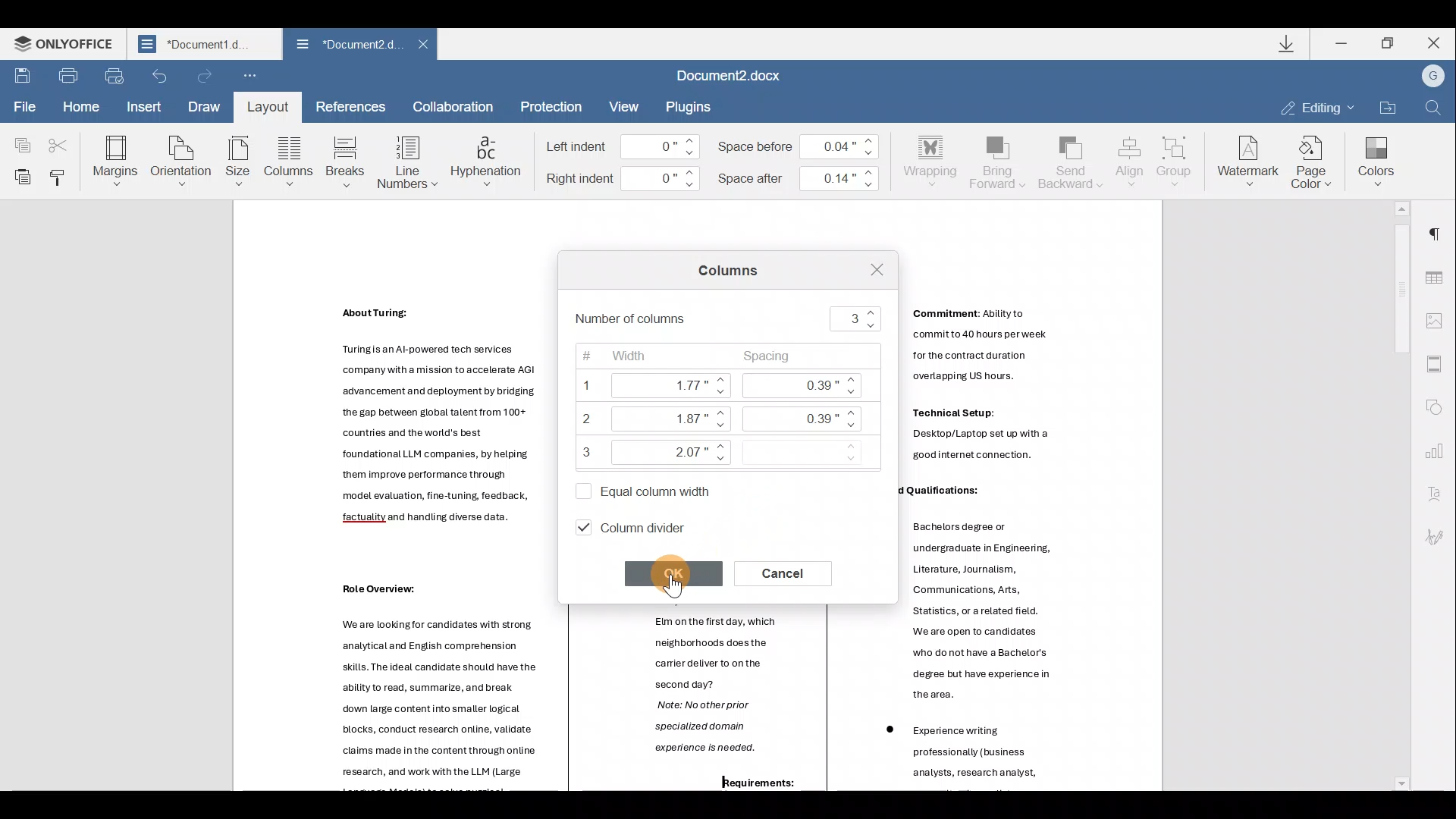 This screenshot has height=819, width=1456. Describe the element at coordinates (429, 698) in the screenshot. I see `` at that location.